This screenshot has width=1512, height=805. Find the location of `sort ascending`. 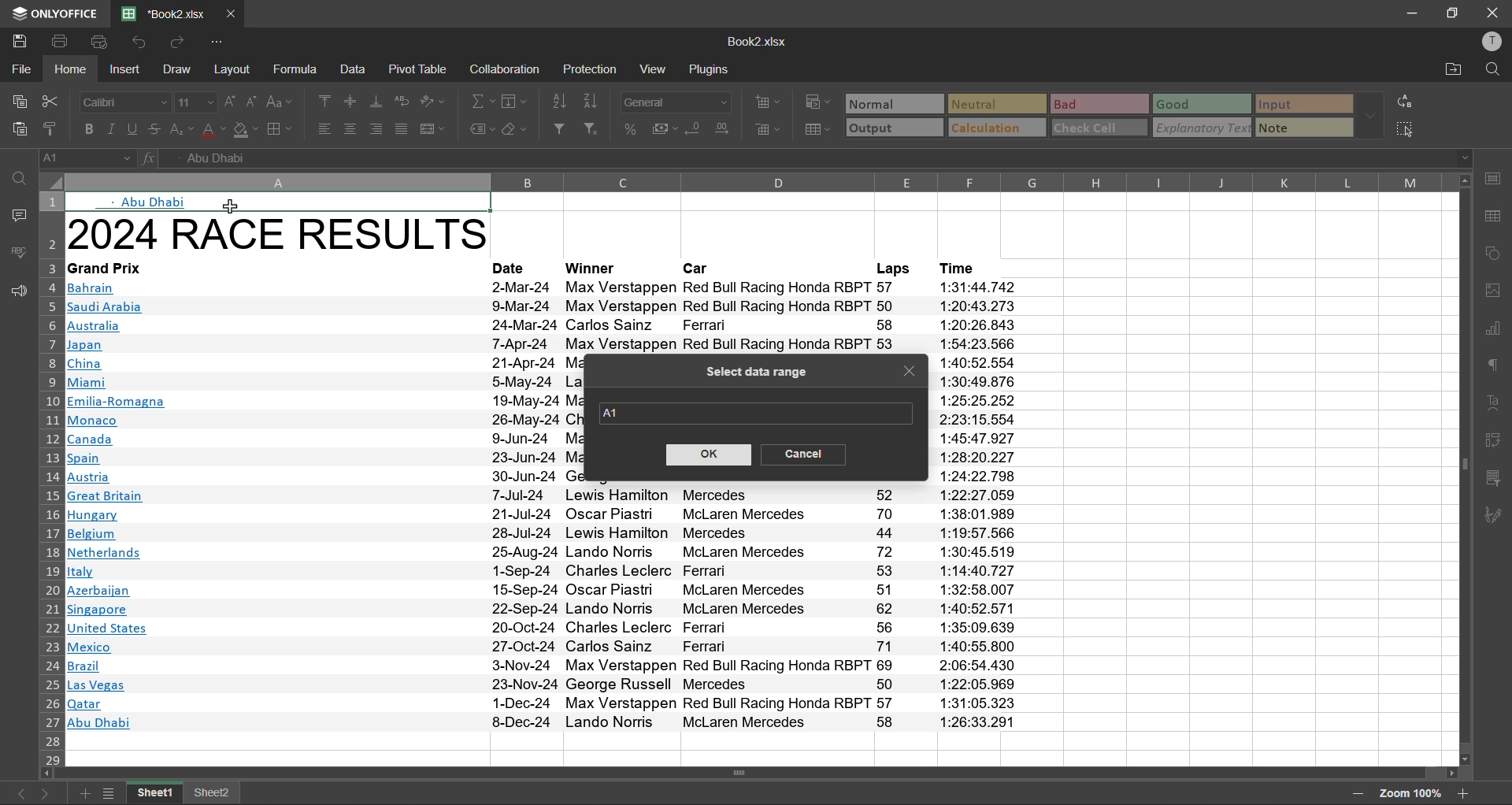

sort ascending is located at coordinates (560, 104).